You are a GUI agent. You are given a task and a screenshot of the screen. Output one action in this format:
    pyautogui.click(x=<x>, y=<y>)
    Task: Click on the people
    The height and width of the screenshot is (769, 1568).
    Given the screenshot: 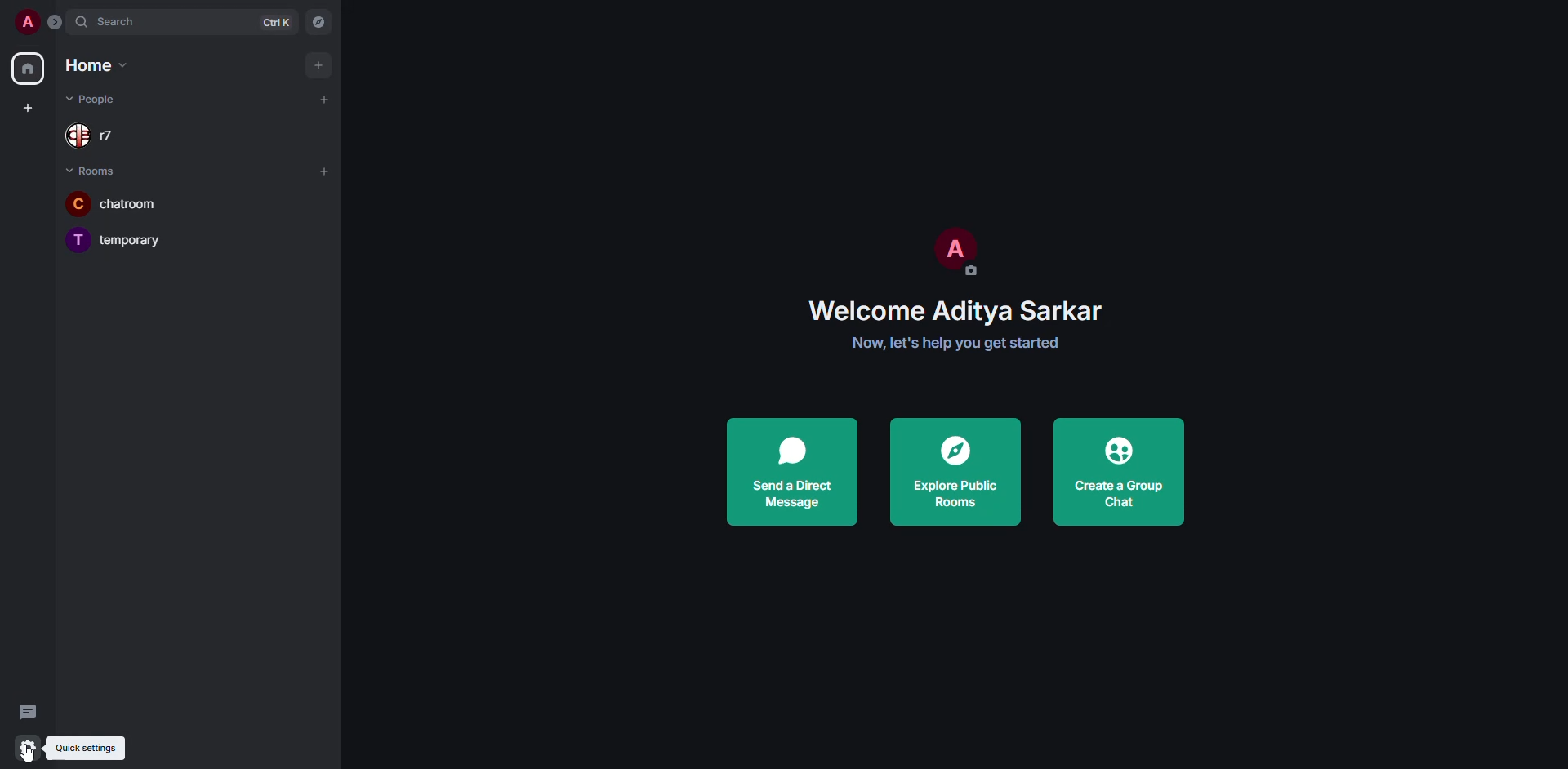 What is the action you would take?
    pyautogui.click(x=95, y=98)
    